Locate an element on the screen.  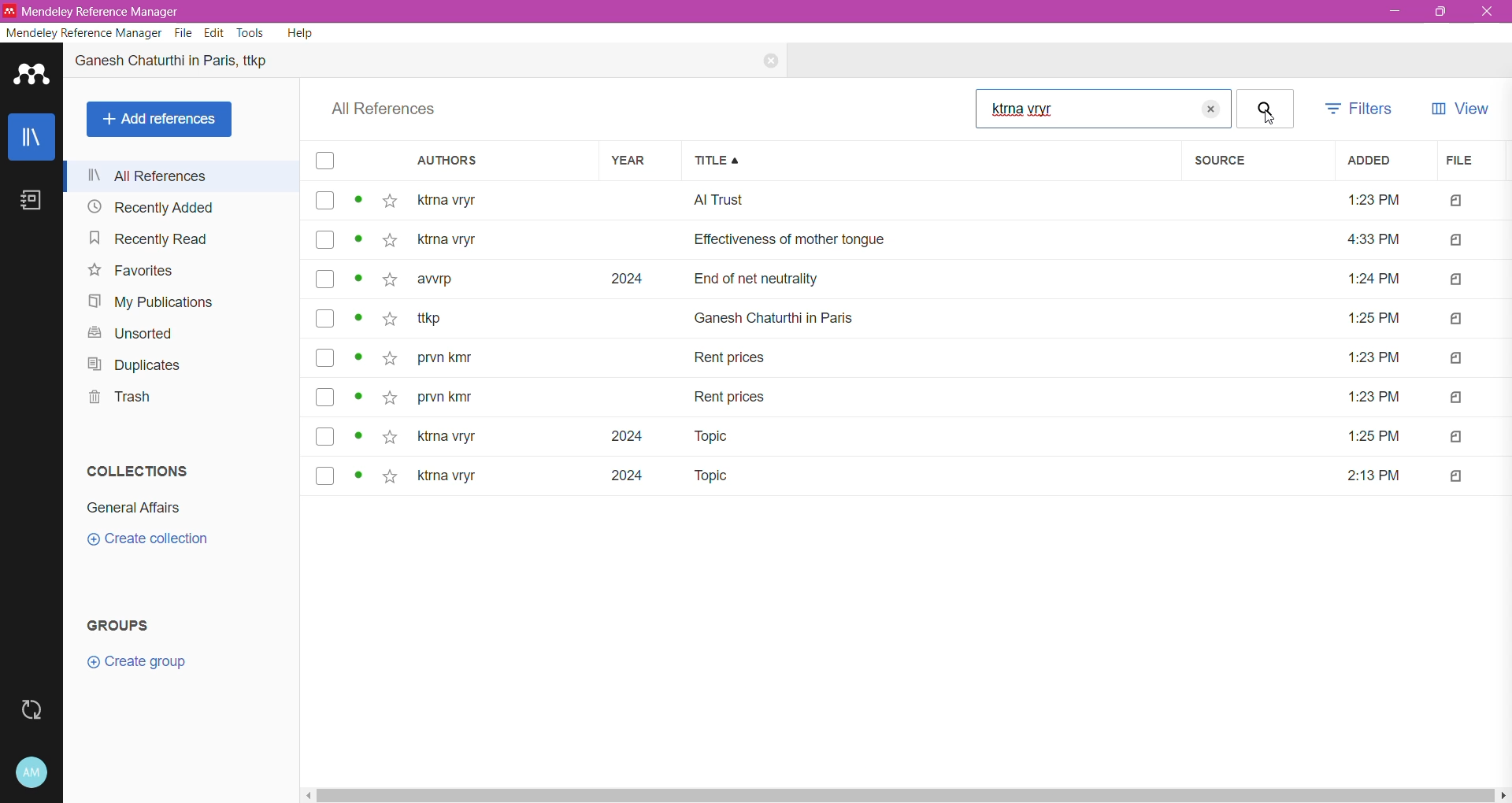
file type is located at coordinates (1455, 281).